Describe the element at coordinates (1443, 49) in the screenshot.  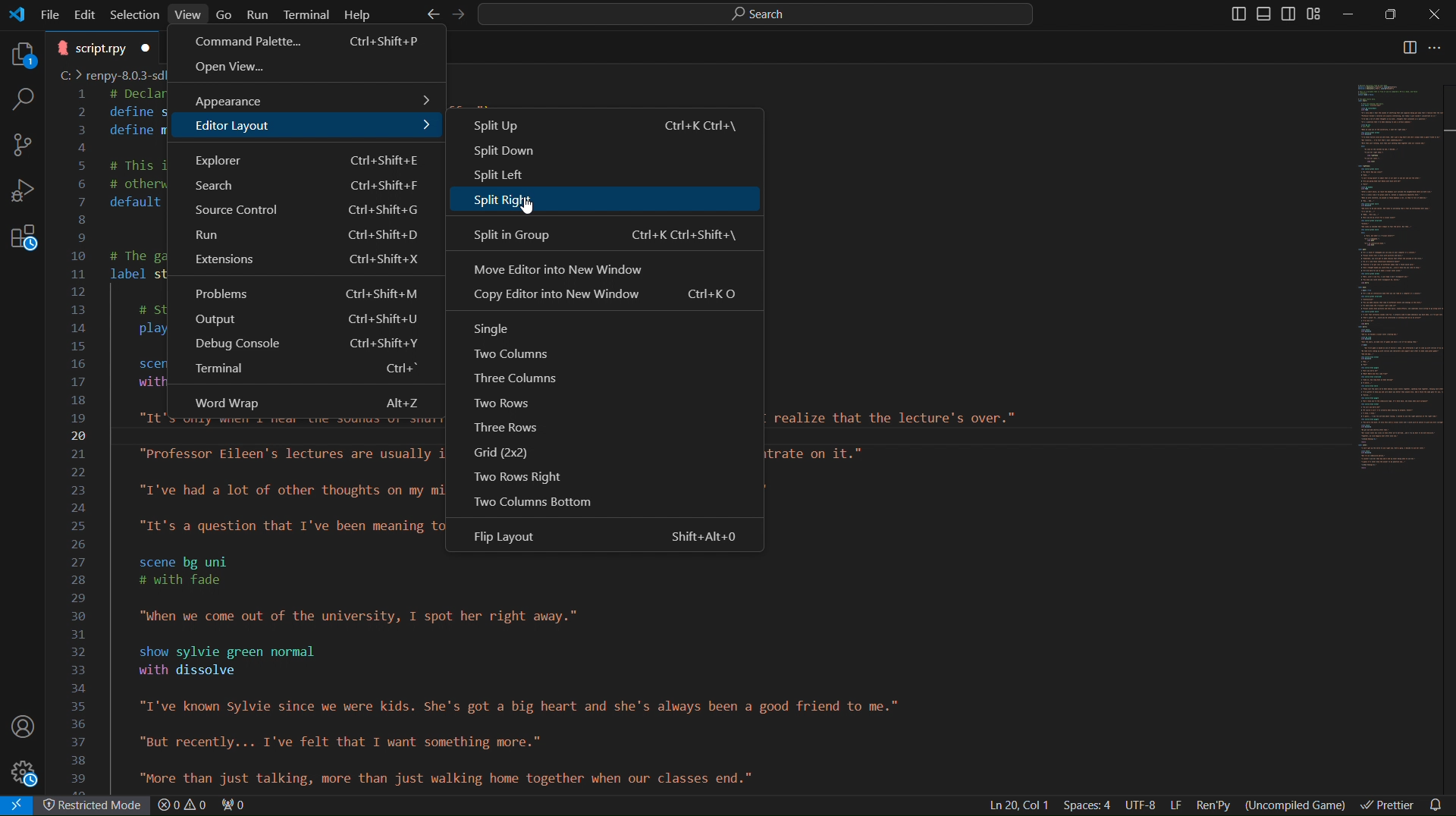
I see `More actions` at that location.